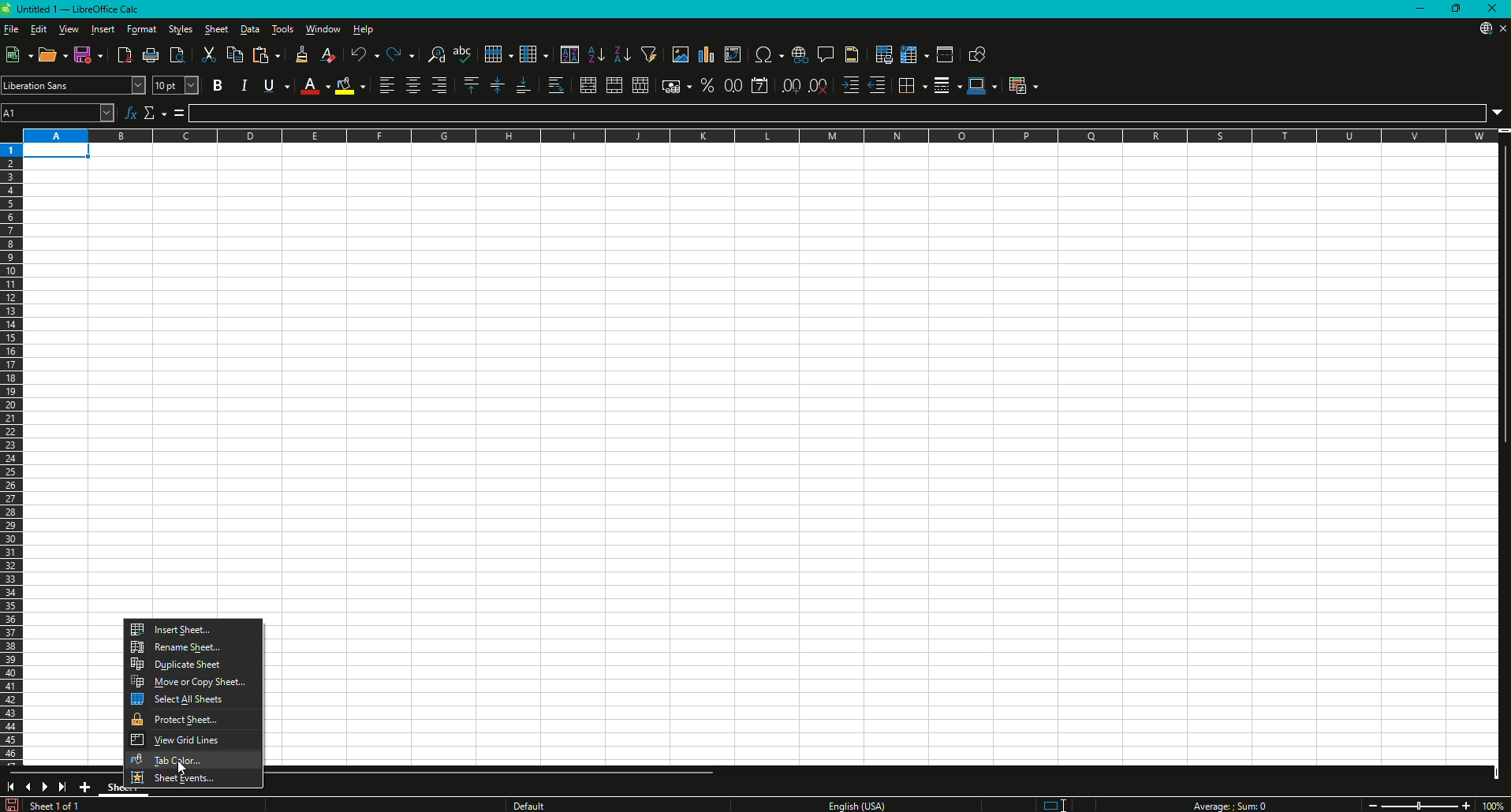 The width and height of the screenshot is (1511, 812). Describe the element at coordinates (234, 54) in the screenshot. I see `Copy` at that location.